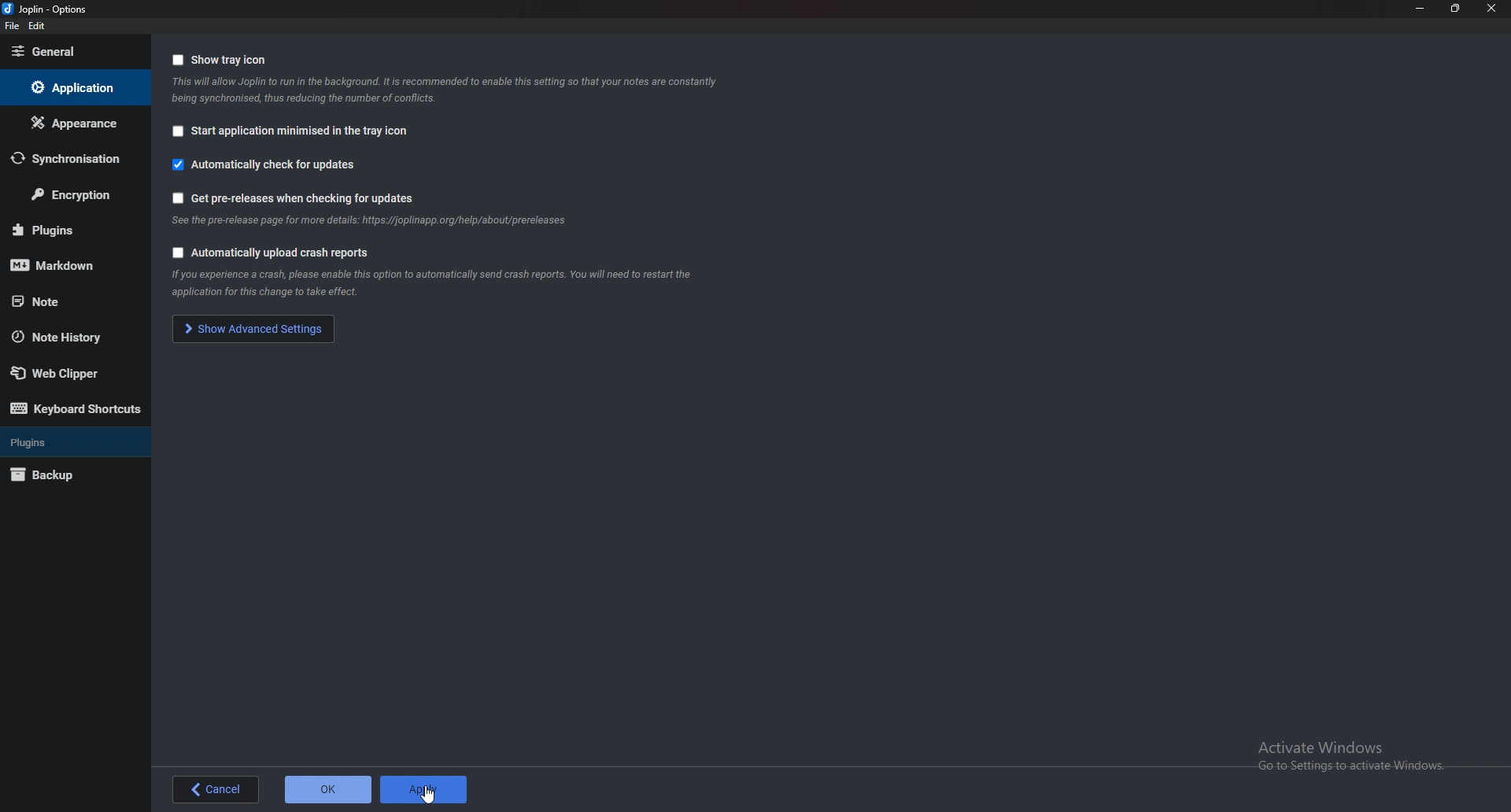 The image size is (1511, 812). I want to click on Appearance, so click(72, 124).